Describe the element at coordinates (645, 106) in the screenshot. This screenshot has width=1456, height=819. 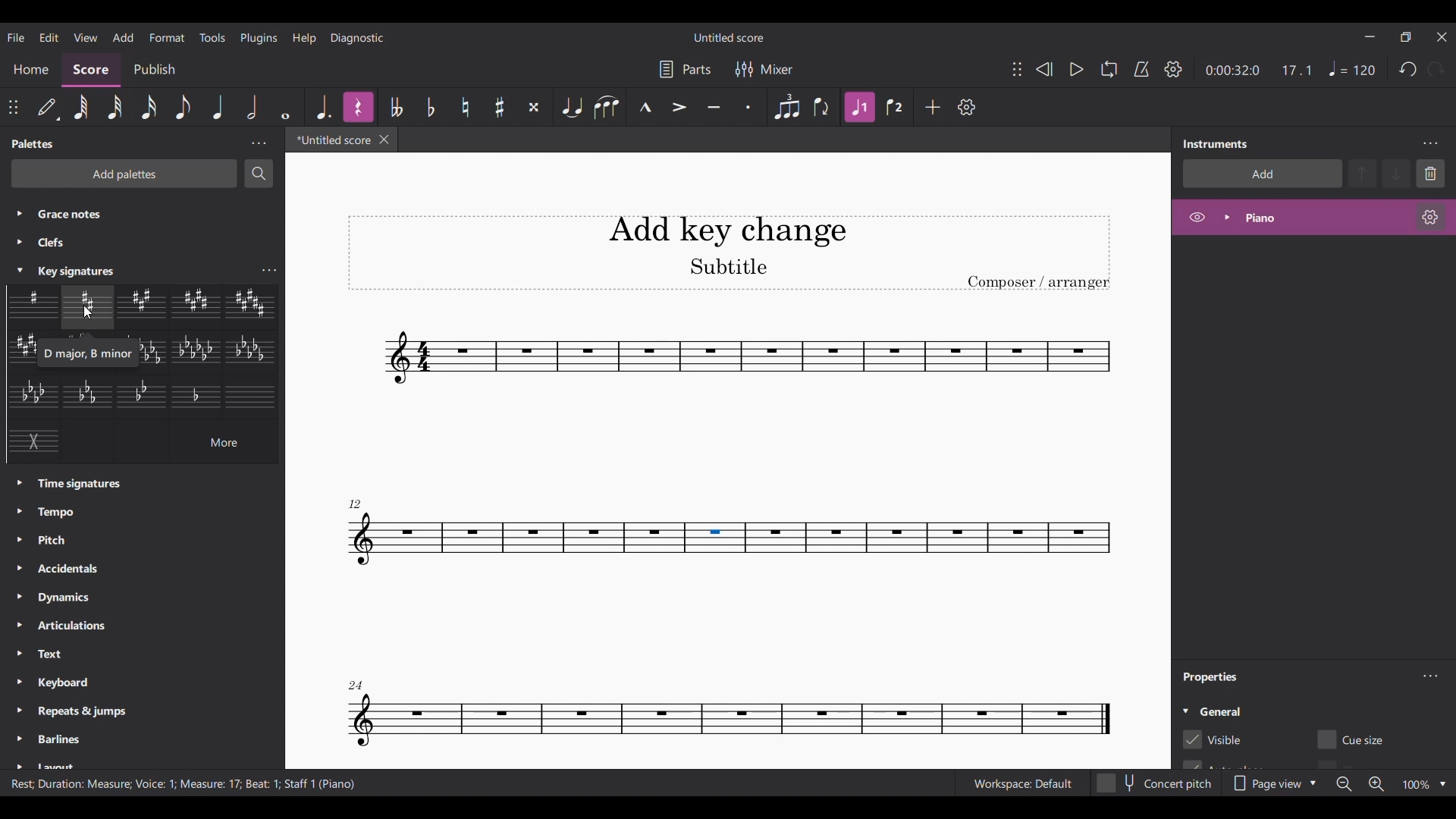
I see `Marcato` at that location.